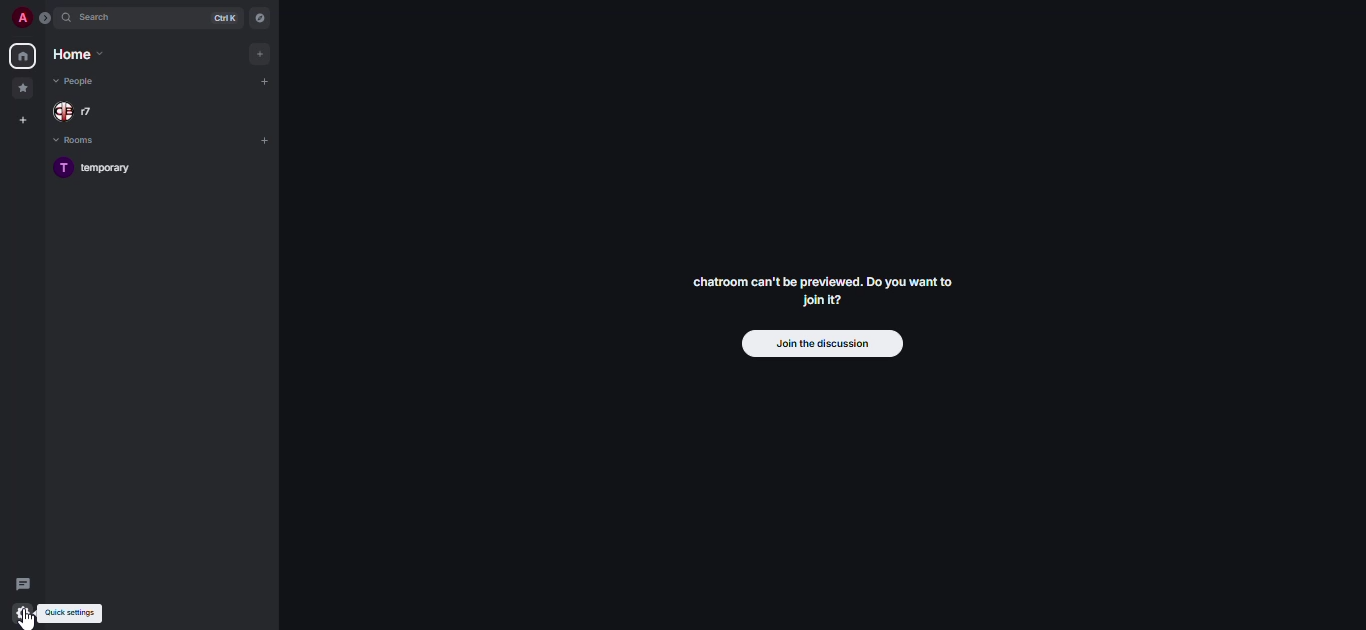 This screenshot has height=630, width=1366. I want to click on quick settings, so click(22, 614).